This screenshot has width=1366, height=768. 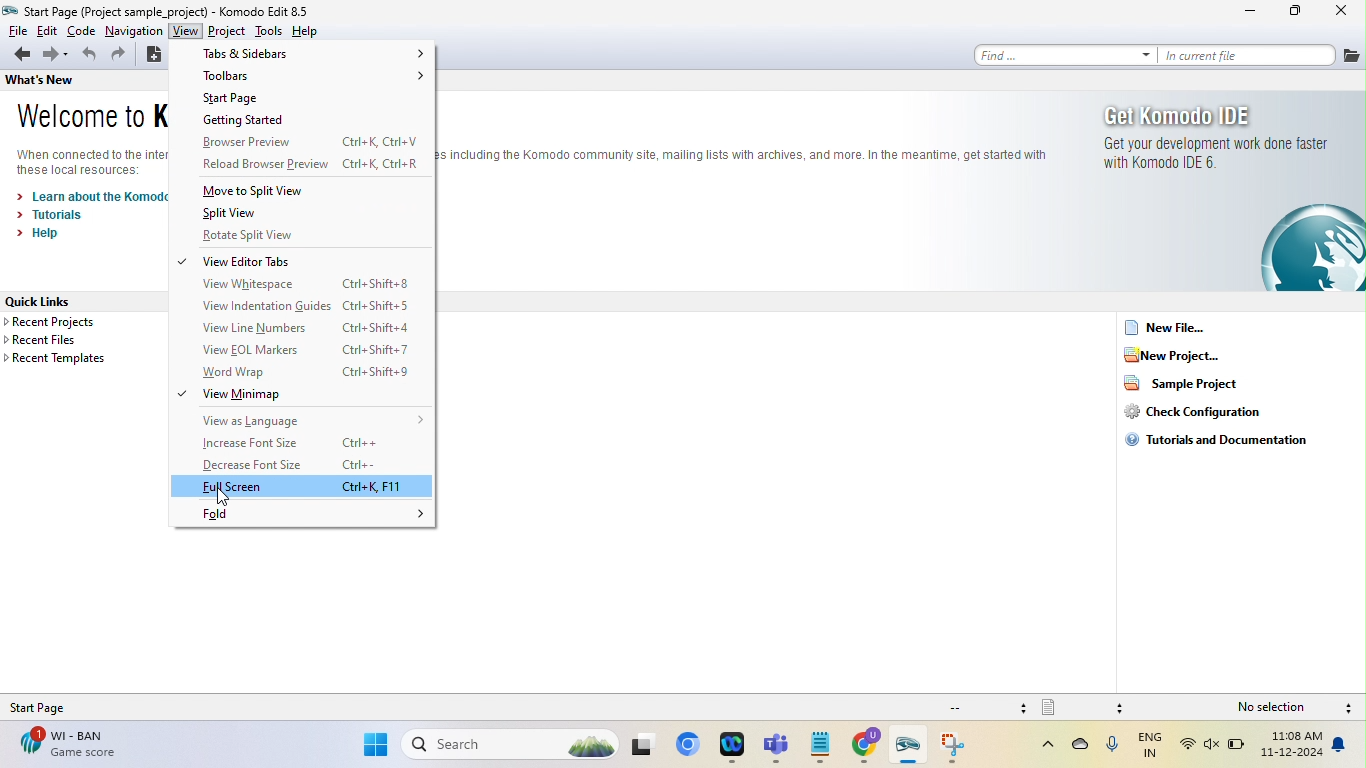 What do you see at coordinates (15, 31) in the screenshot?
I see `file` at bounding box center [15, 31].